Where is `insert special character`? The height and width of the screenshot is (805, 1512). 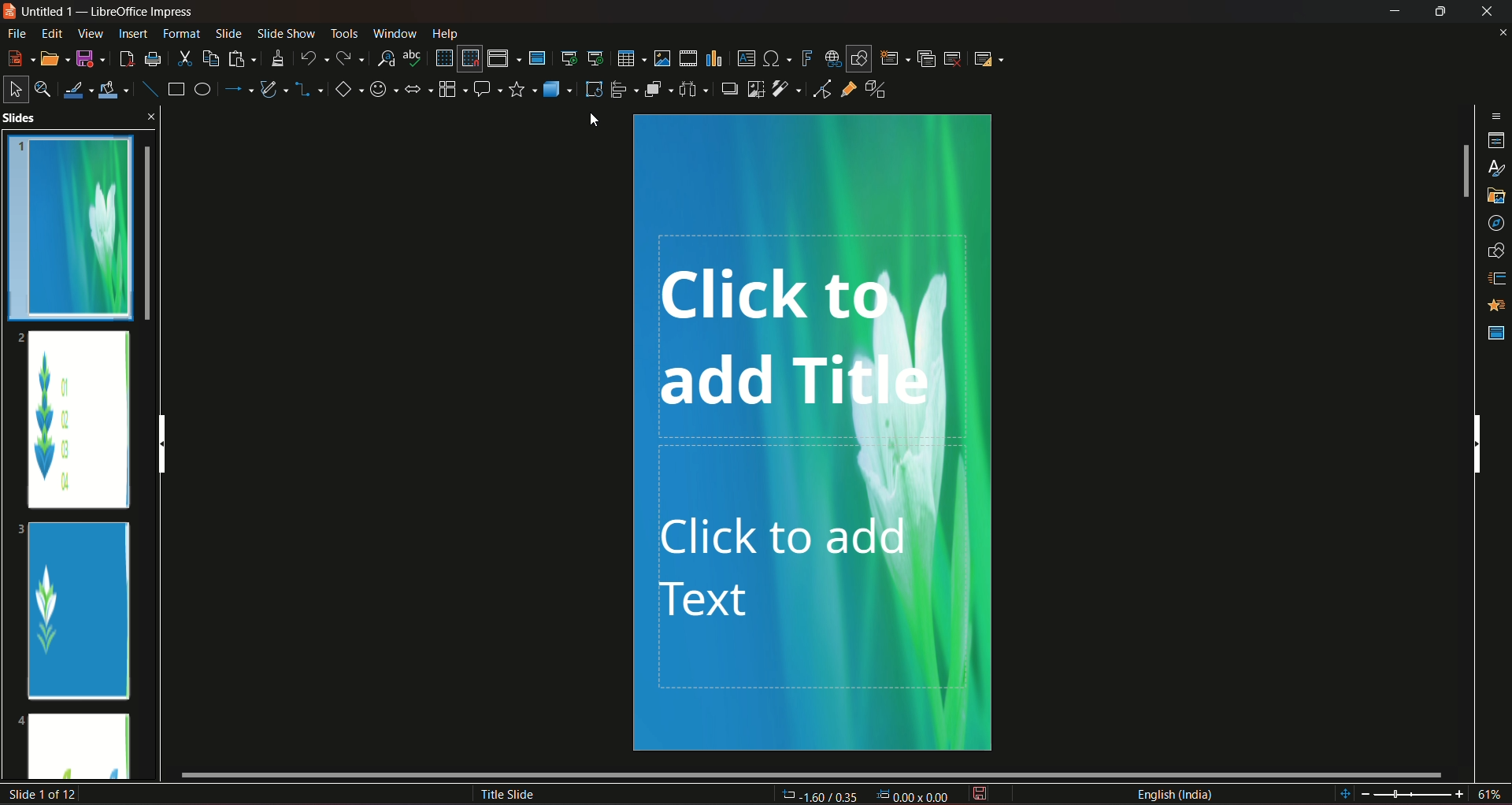 insert special character is located at coordinates (776, 58).